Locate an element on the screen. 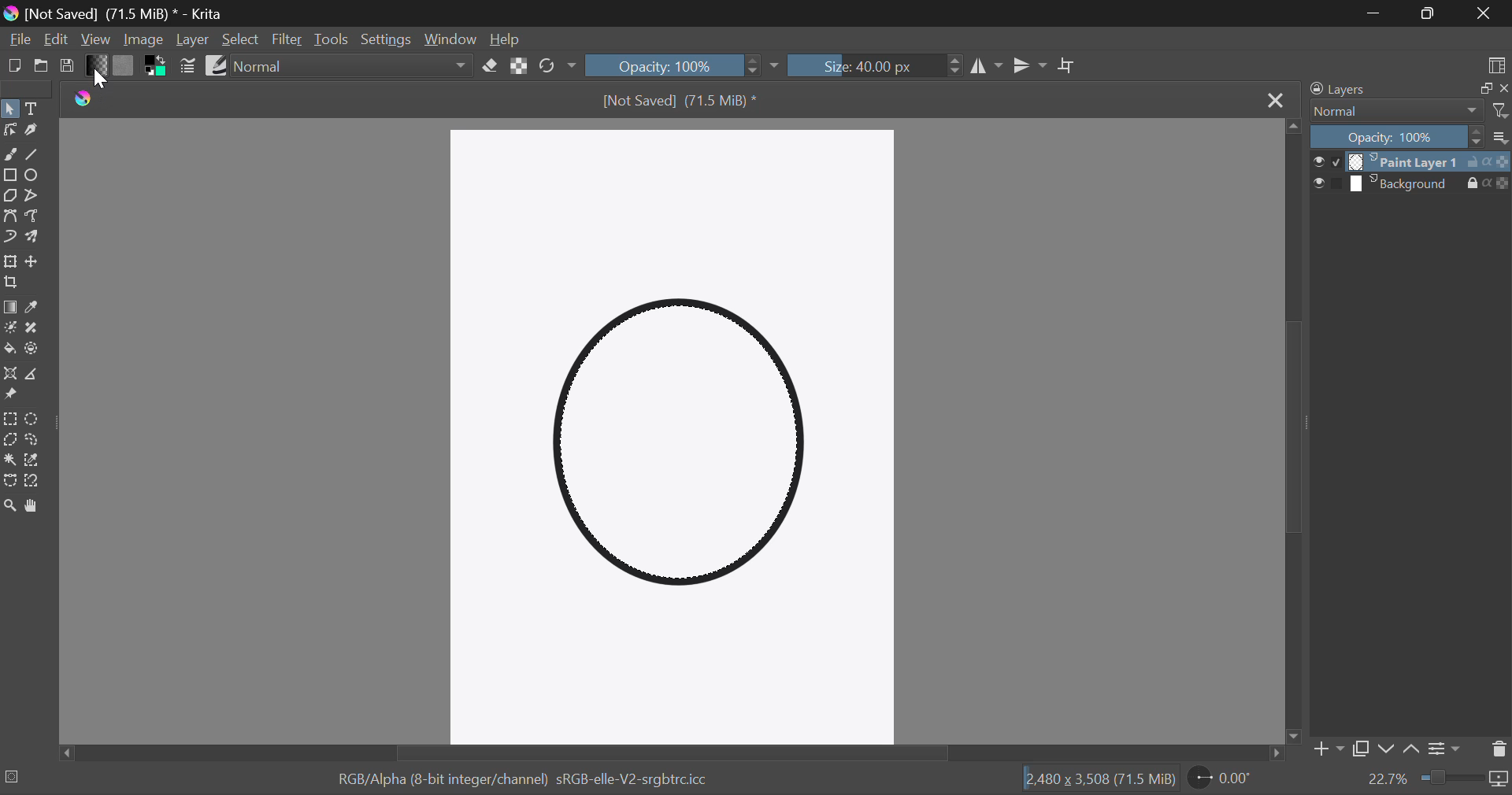 The image size is (1512, 795). Scroll Bar is located at coordinates (673, 756).